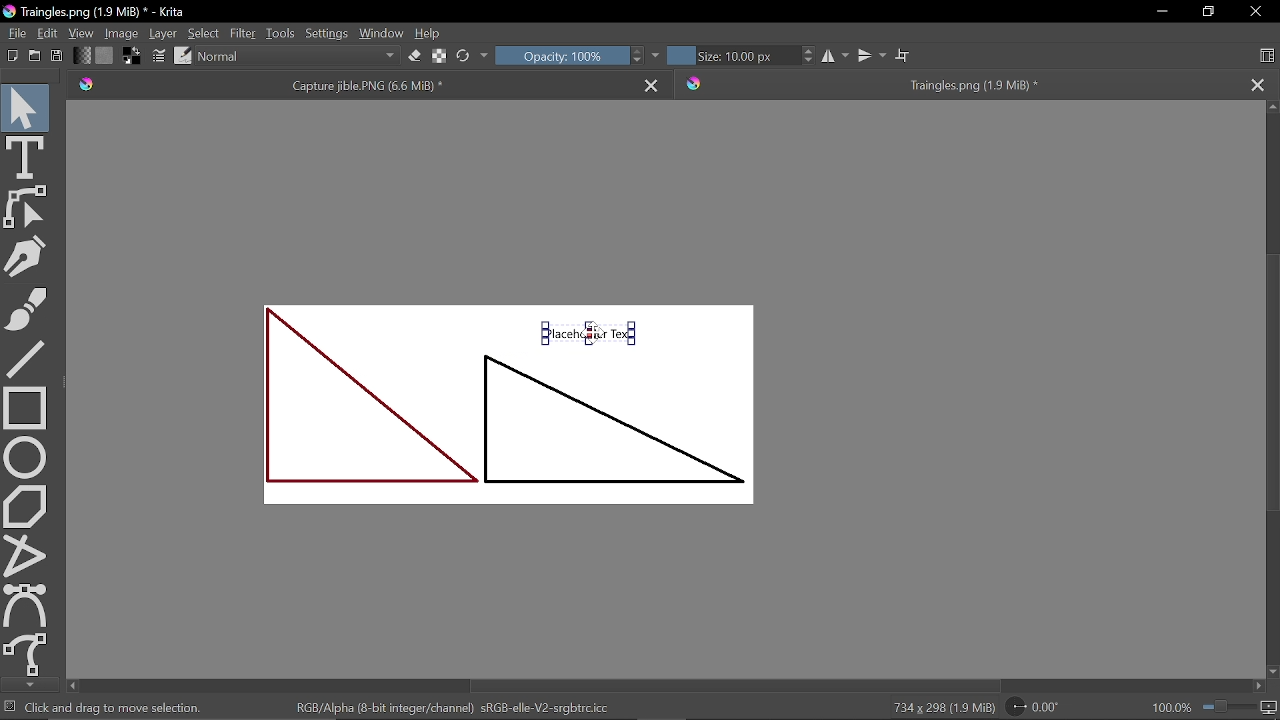 The image size is (1280, 720). What do you see at coordinates (438, 58) in the screenshot?
I see `Preserve alpha` at bounding box center [438, 58].